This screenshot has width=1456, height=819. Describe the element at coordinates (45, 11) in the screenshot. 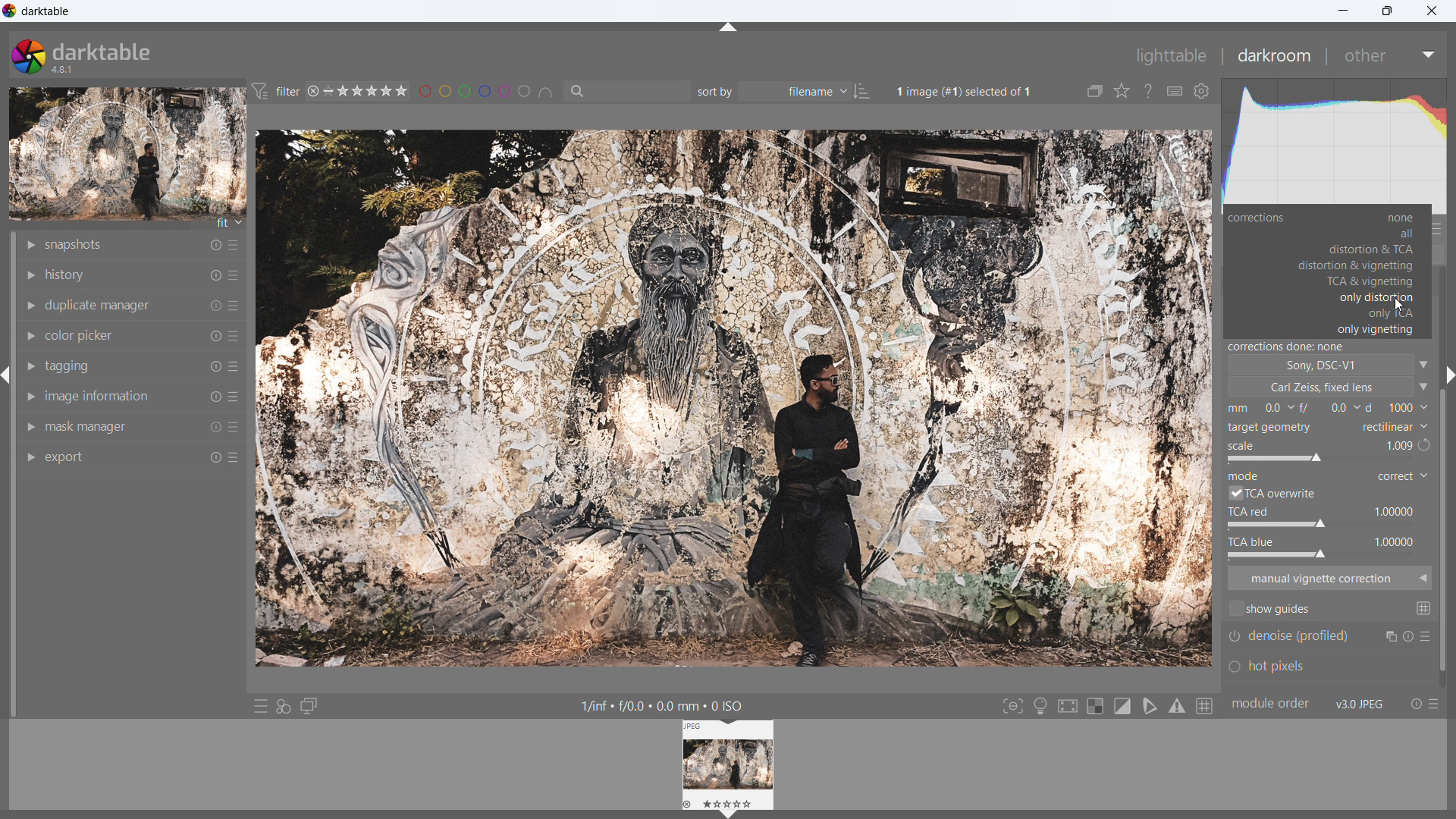

I see `title` at that location.